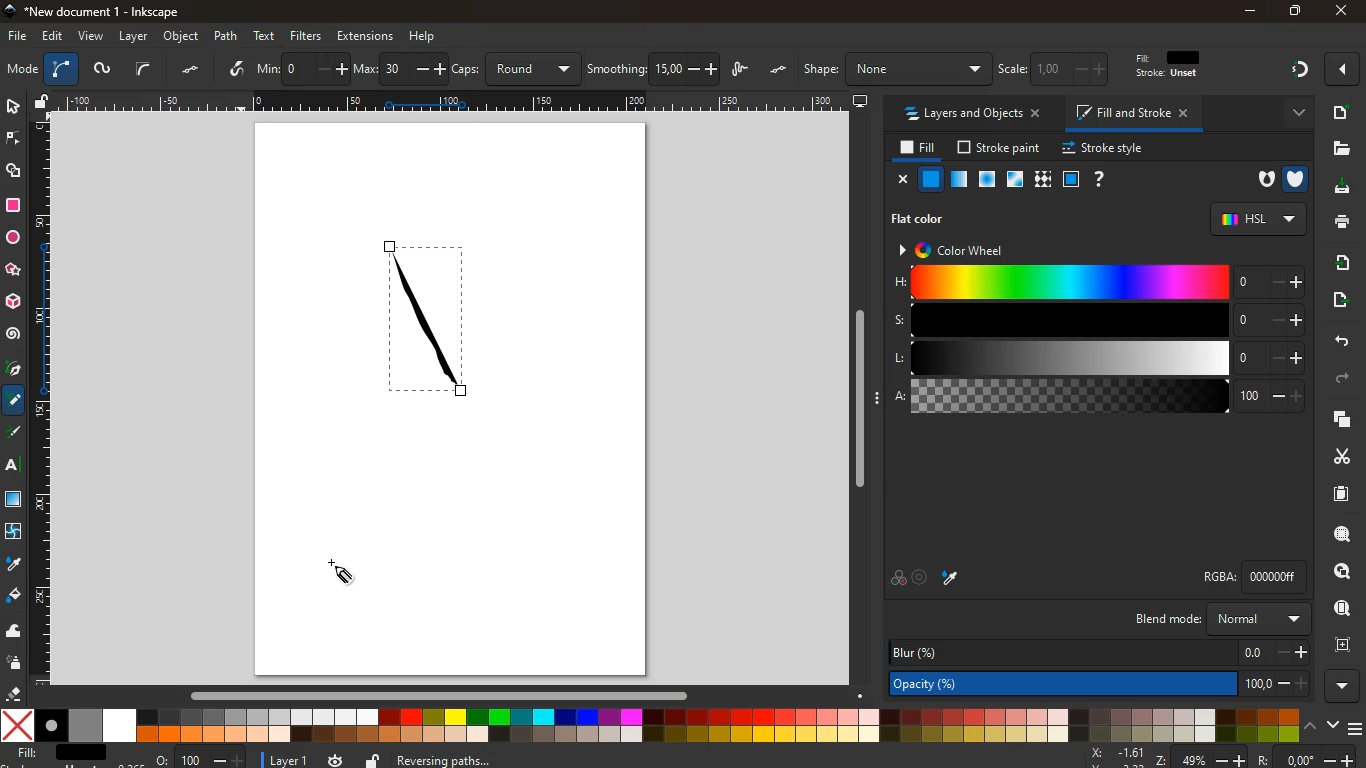 This screenshot has height=768, width=1366. I want to click on document, so click(1343, 493).